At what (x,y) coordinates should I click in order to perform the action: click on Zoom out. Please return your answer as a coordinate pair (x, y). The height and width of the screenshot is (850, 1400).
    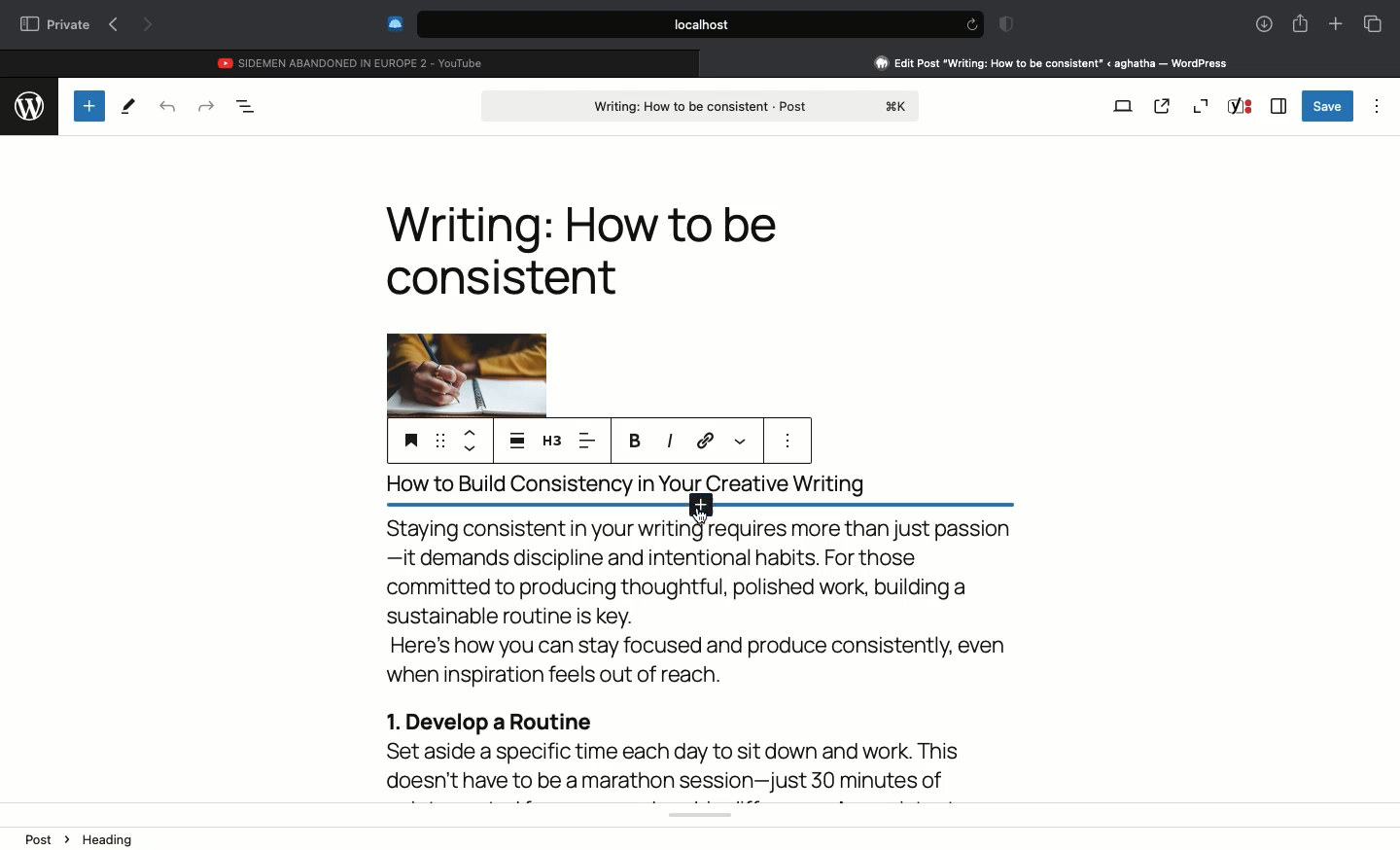
    Looking at the image, I should click on (1200, 106).